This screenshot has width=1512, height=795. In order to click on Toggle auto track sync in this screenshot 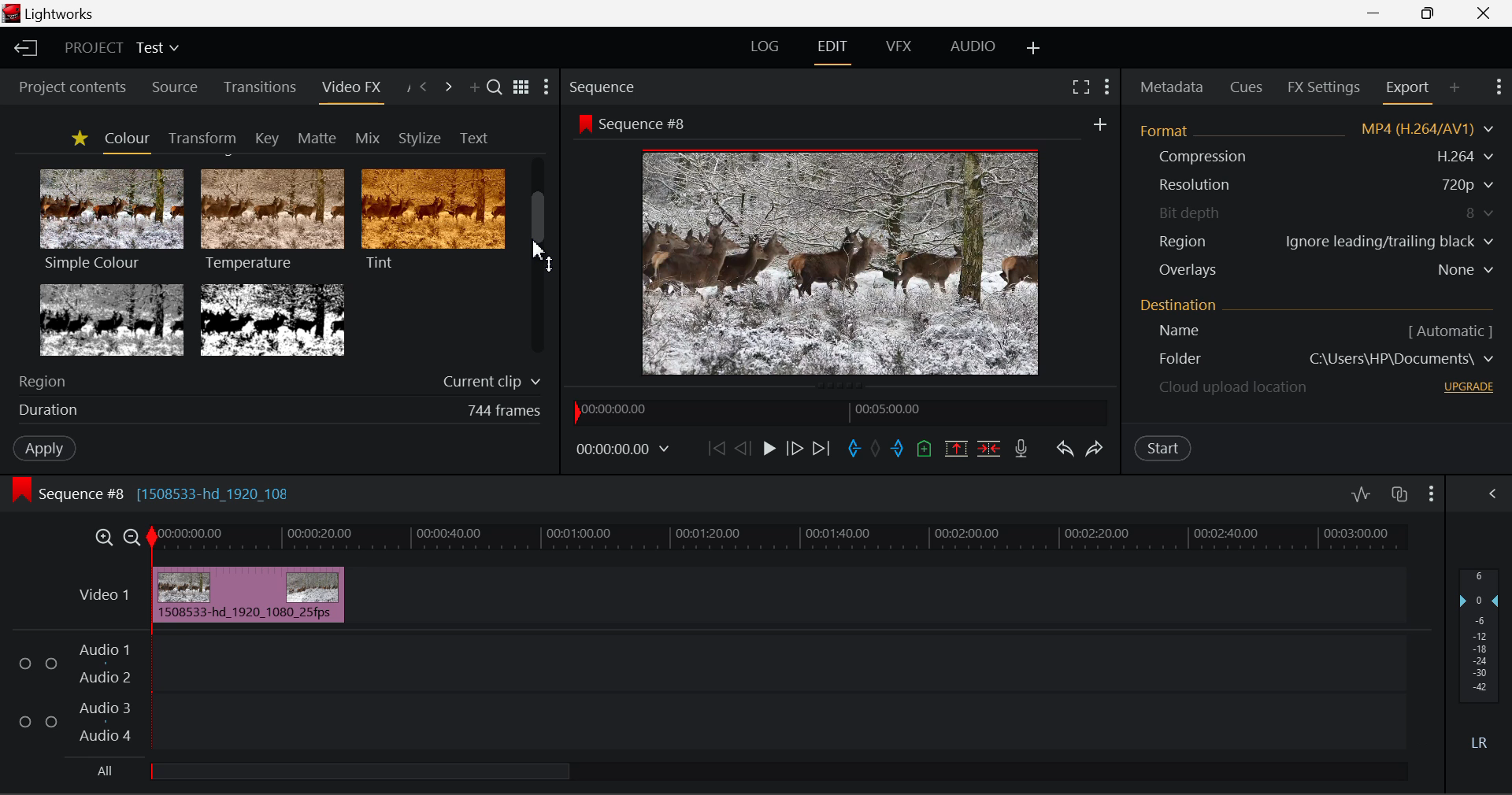, I will do `click(1399, 494)`.